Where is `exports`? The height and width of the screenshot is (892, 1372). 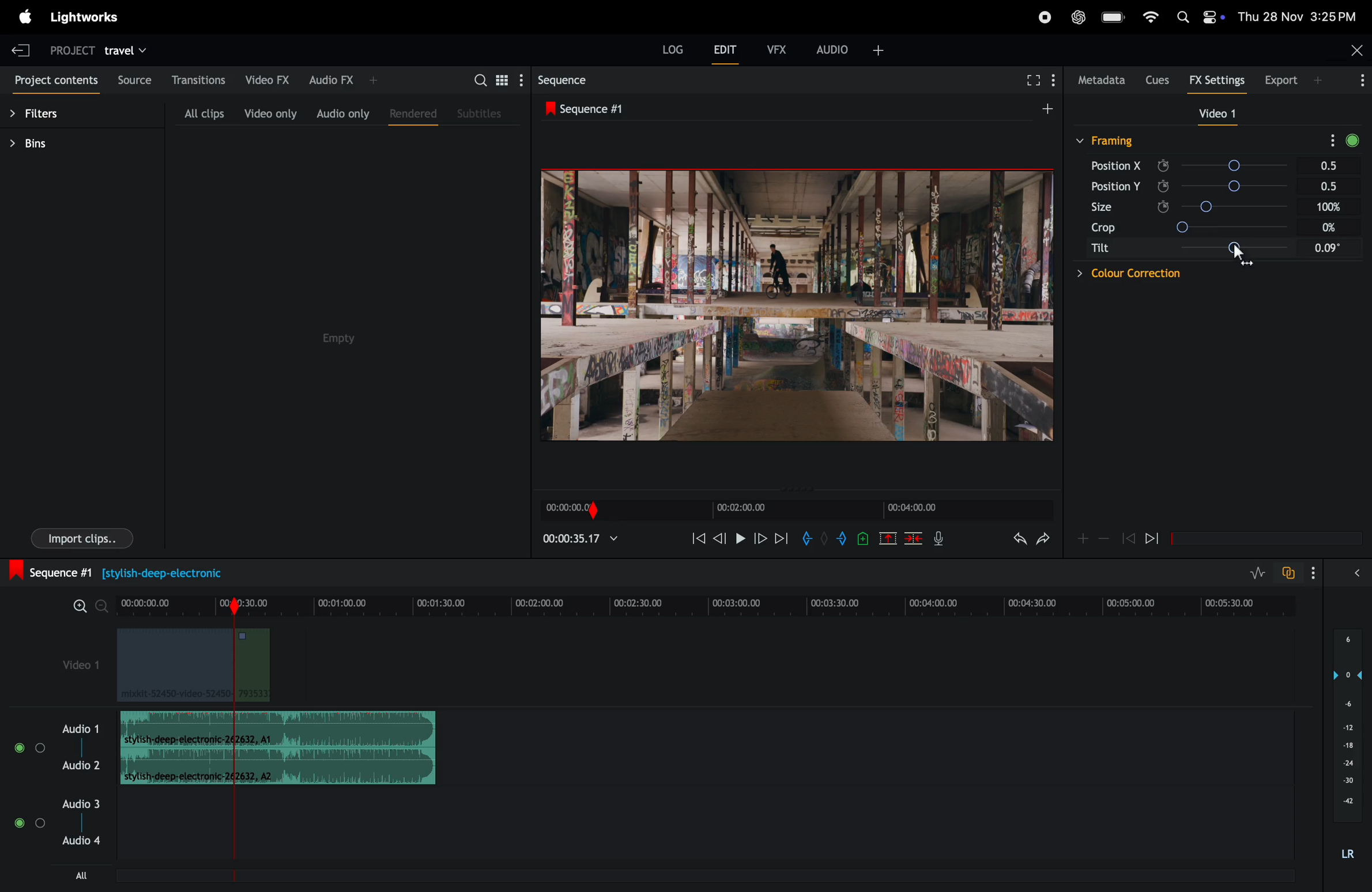 exports is located at coordinates (1279, 81).